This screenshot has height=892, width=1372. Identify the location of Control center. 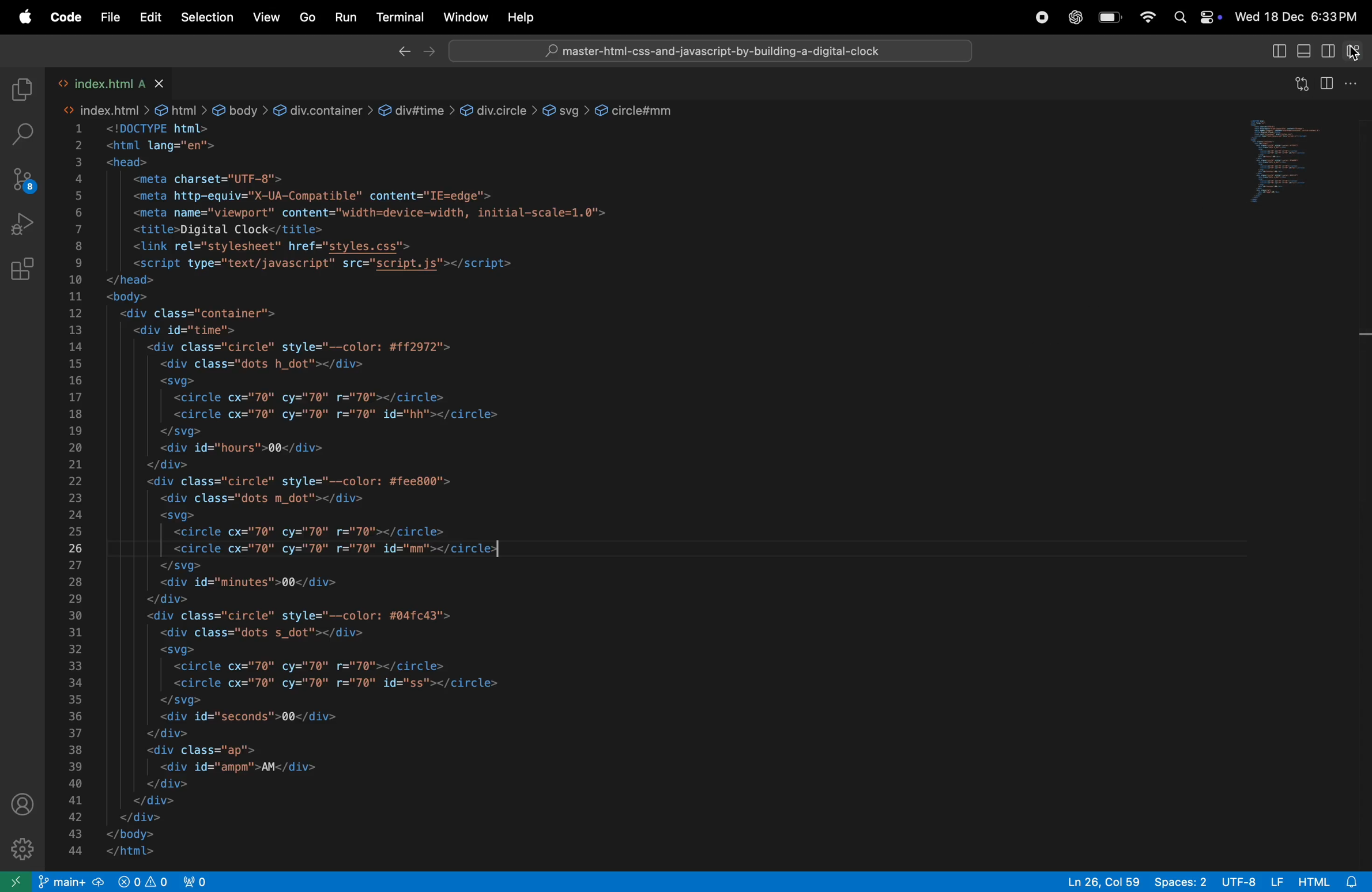
(1209, 18).